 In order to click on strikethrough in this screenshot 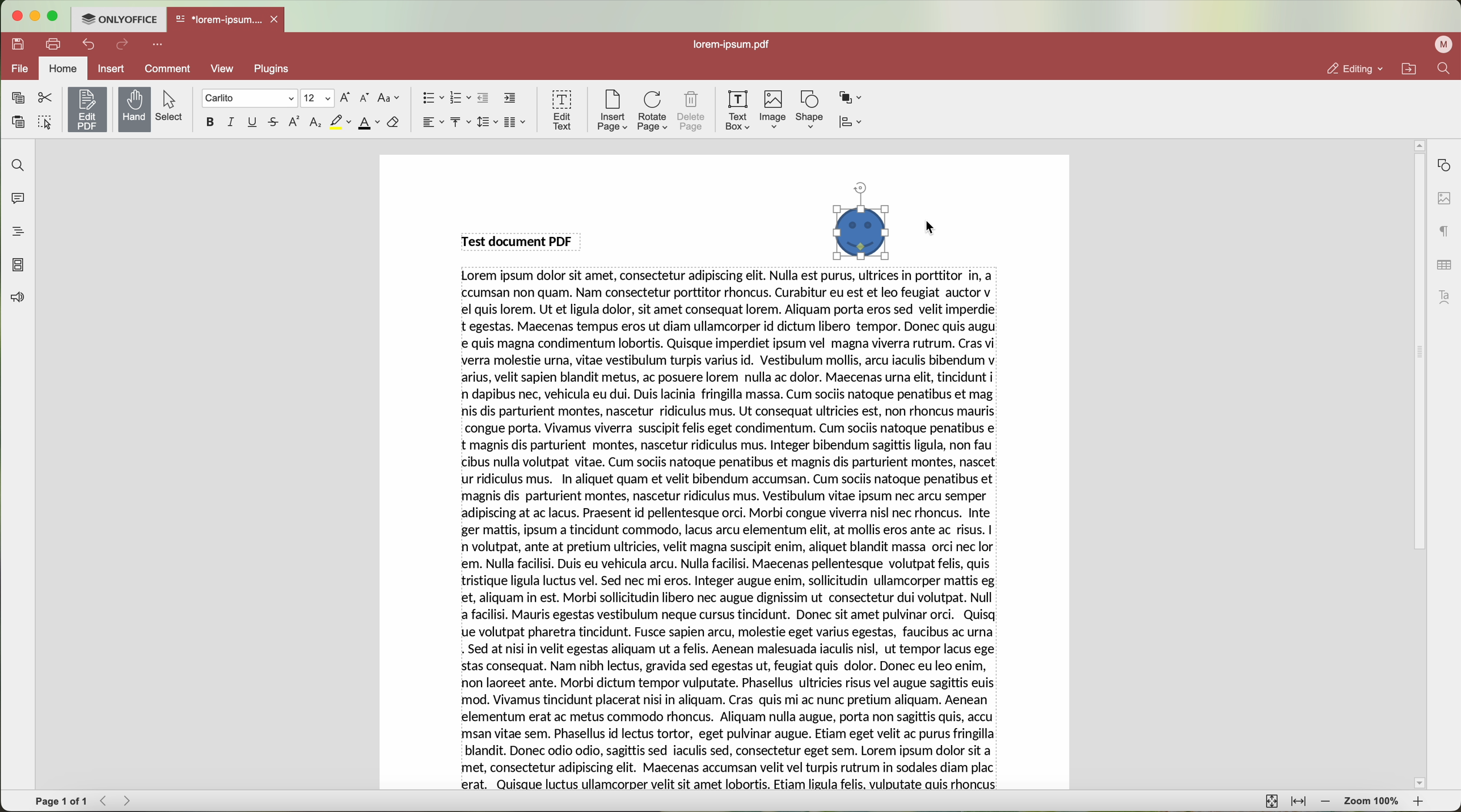, I will do `click(275, 124)`.